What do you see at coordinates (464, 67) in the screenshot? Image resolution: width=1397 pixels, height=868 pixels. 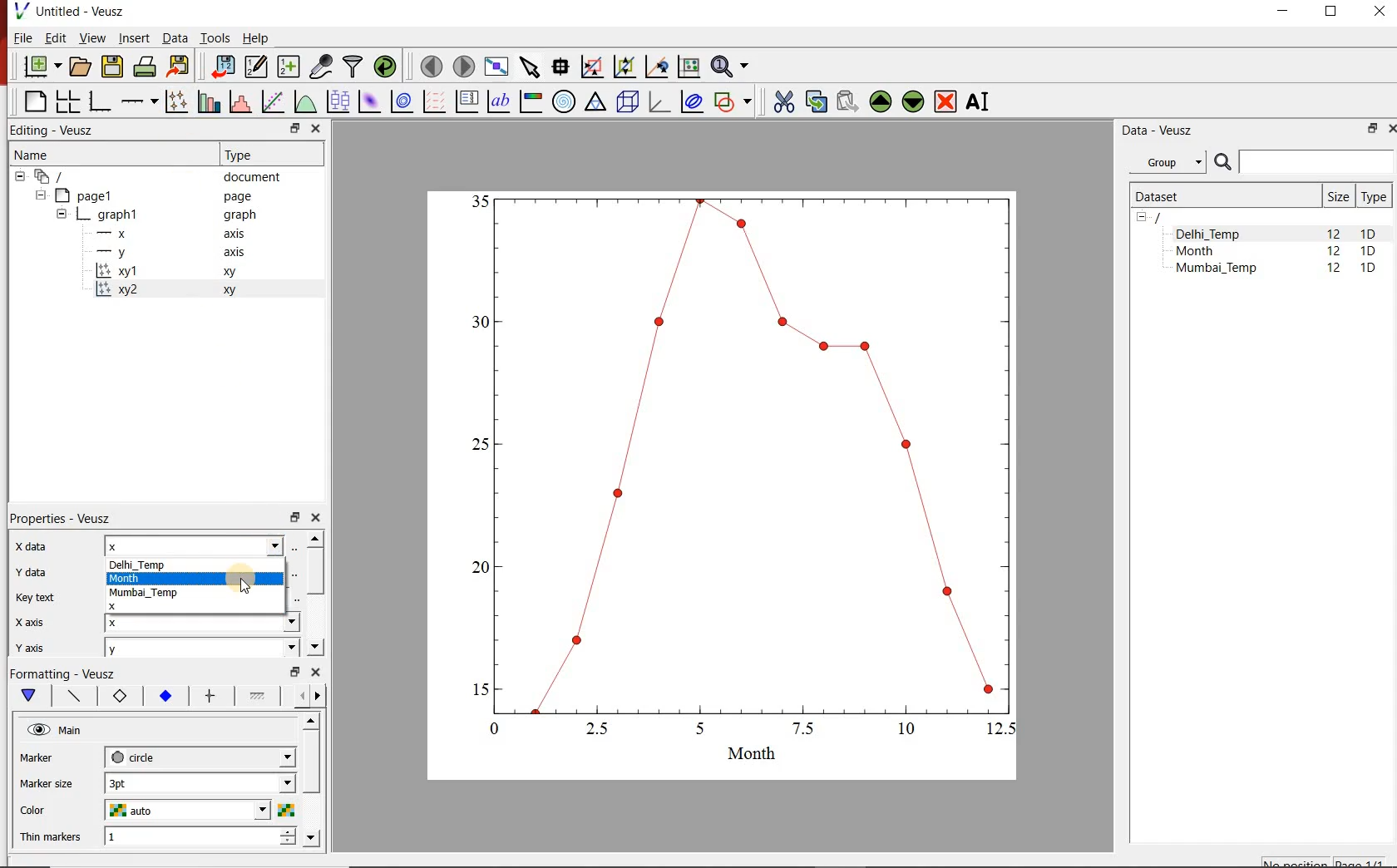 I see `move to the next page` at bounding box center [464, 67].